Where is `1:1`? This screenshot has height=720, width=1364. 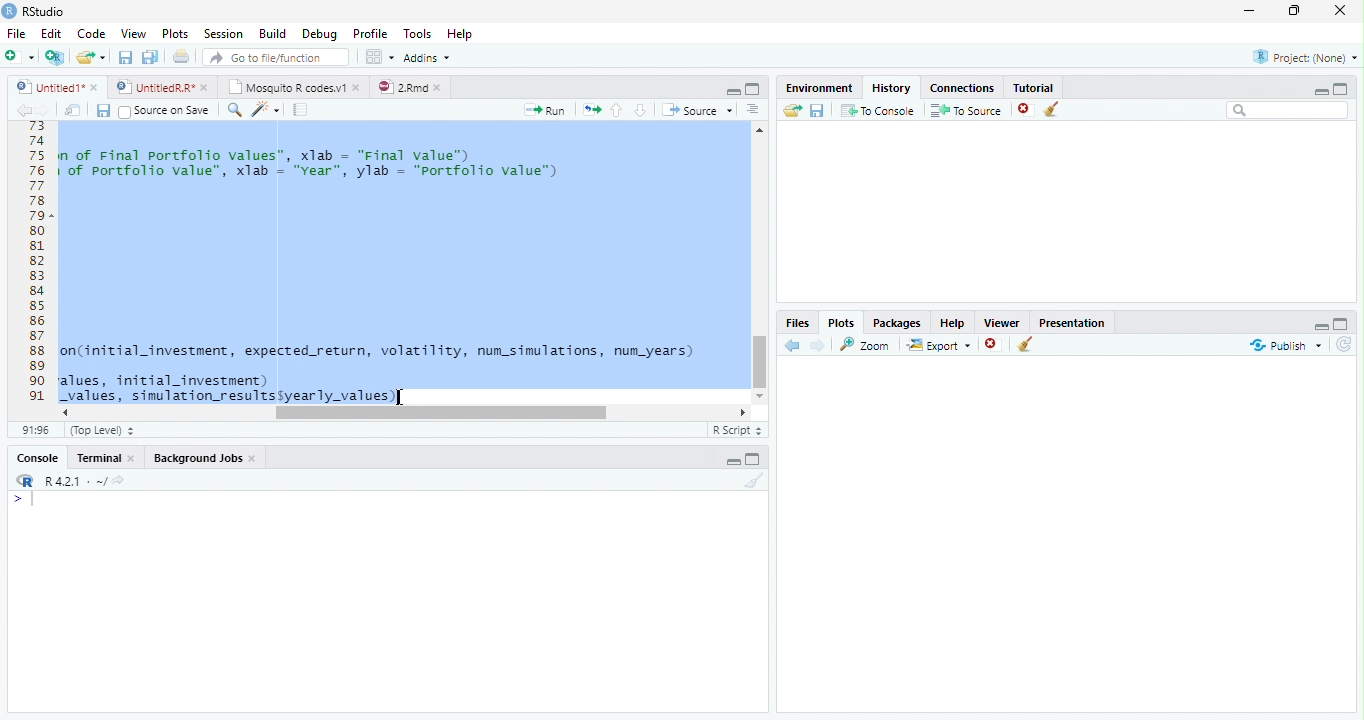
1:1 is located at coordinates (34, 430).